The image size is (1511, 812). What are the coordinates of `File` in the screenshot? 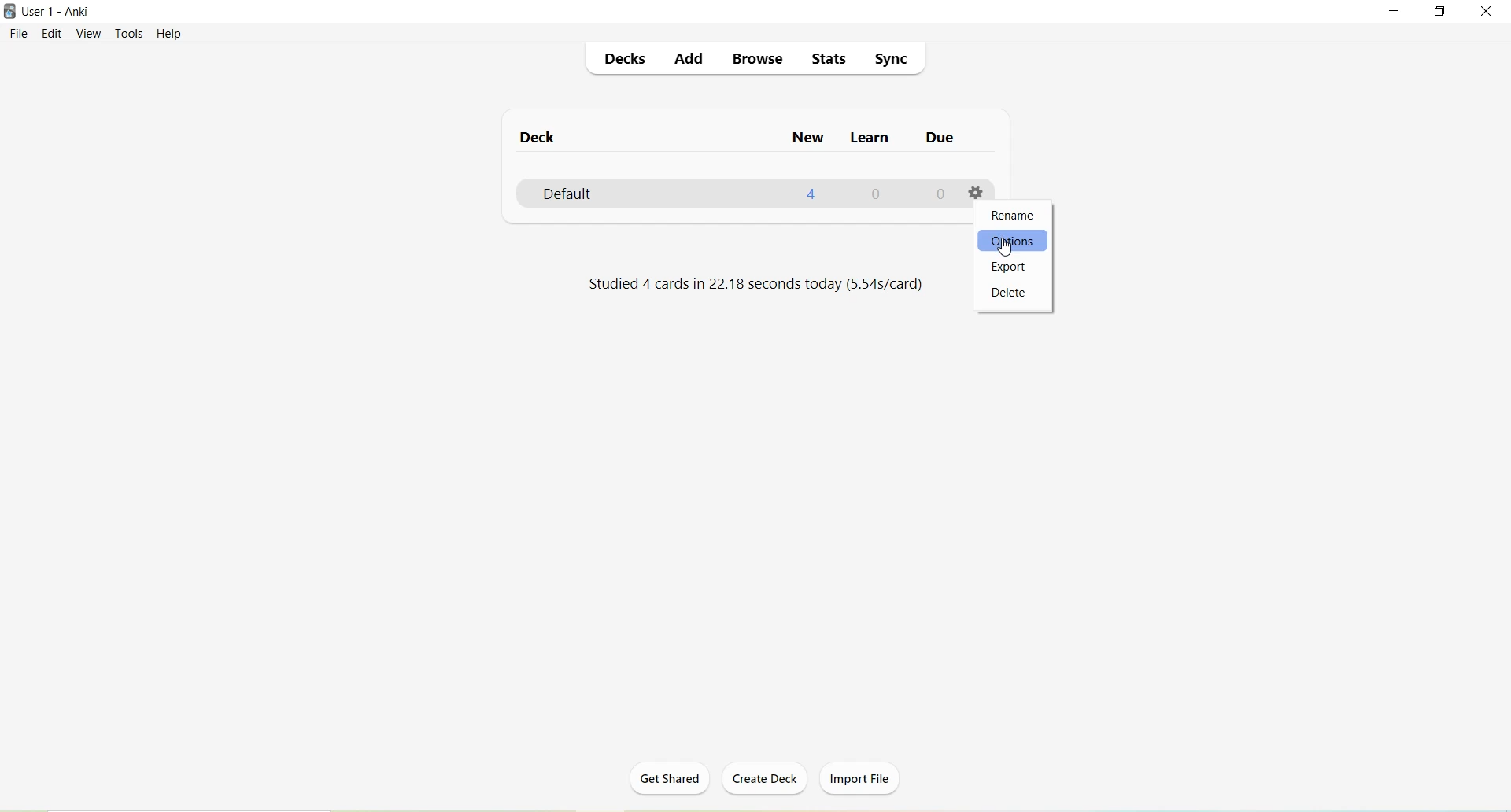 It's located at (18, 33).